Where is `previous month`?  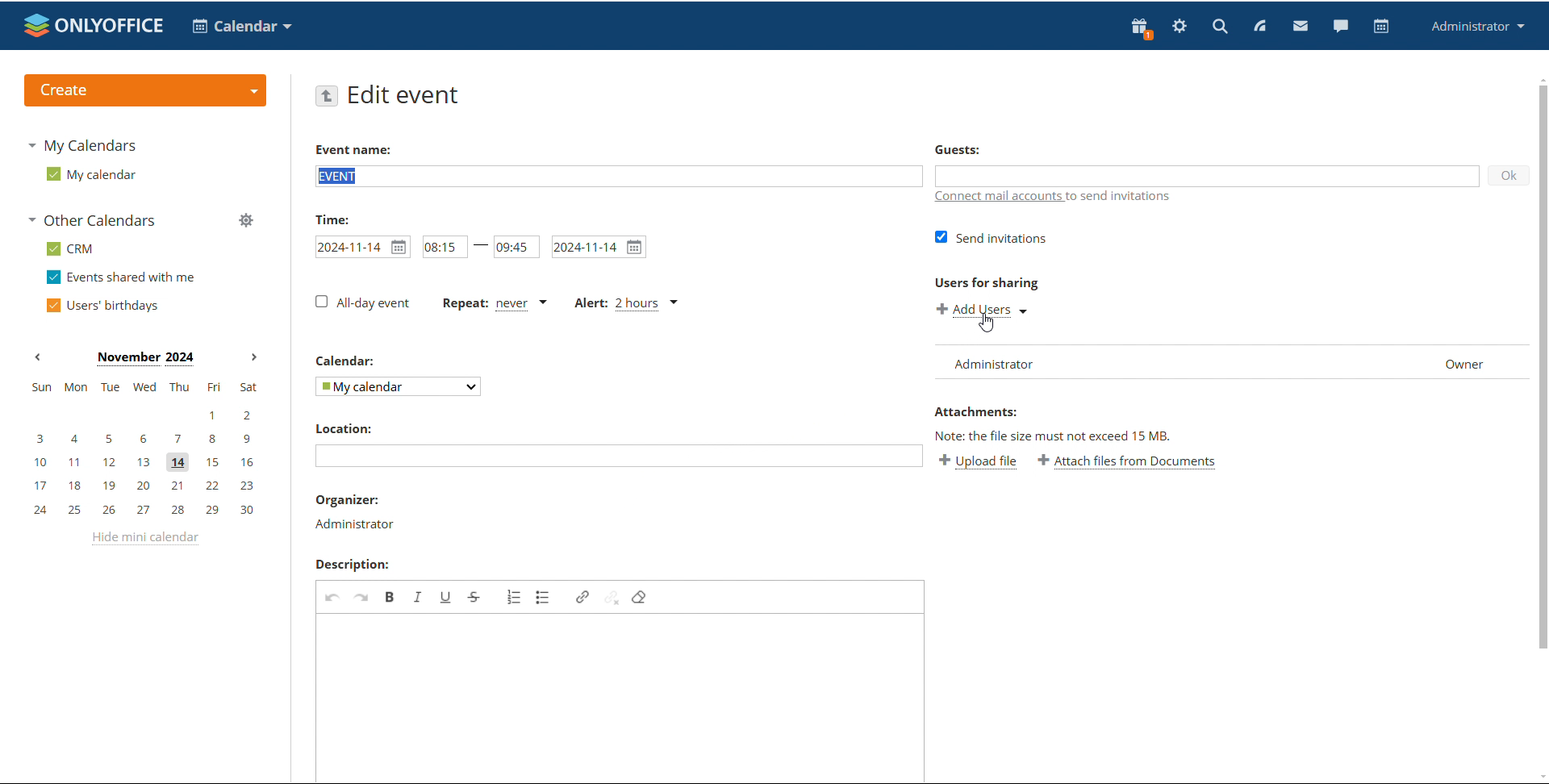 previous month is located at coordinates (37, 357).